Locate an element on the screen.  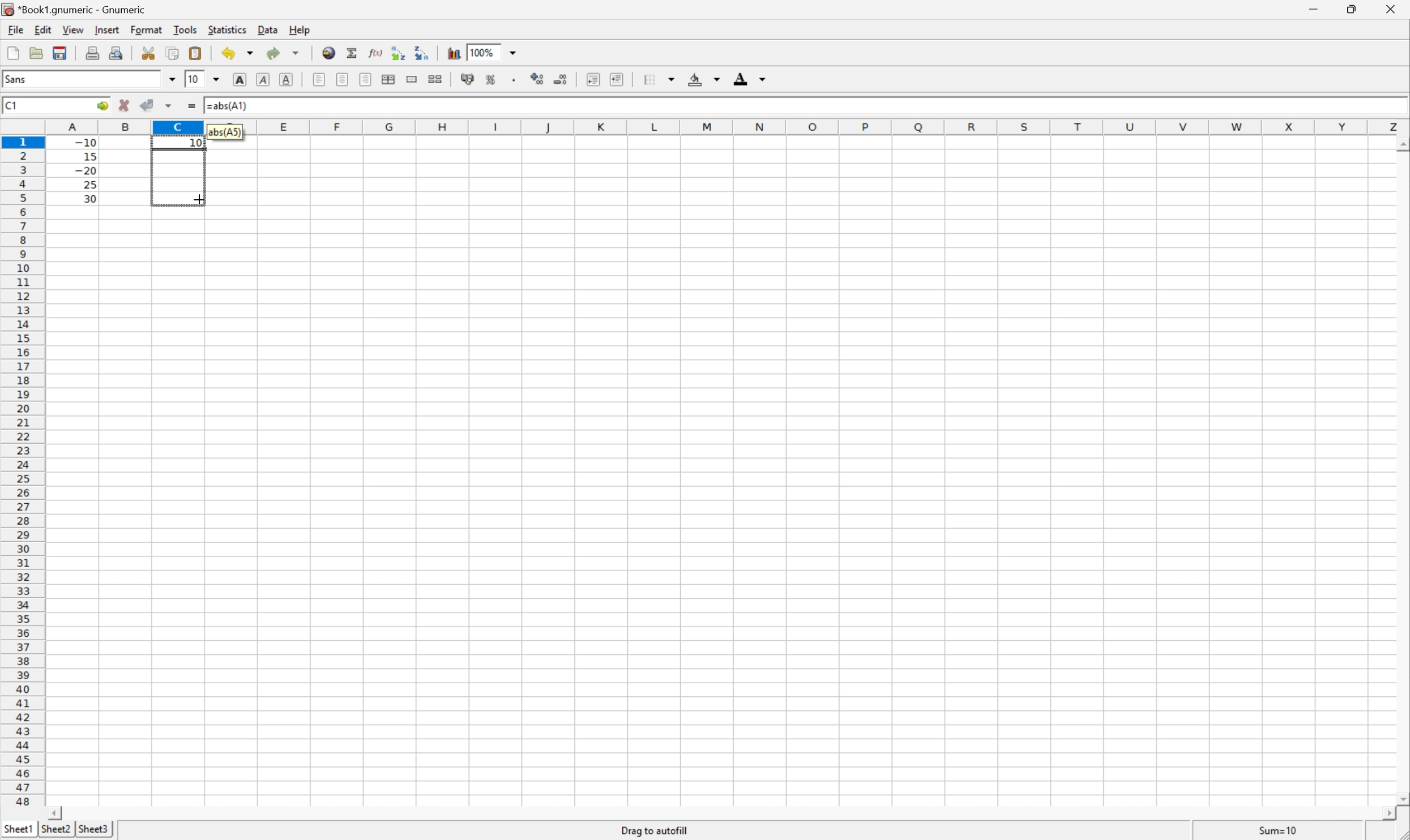
Underline  is located at coordinates (262, 80).